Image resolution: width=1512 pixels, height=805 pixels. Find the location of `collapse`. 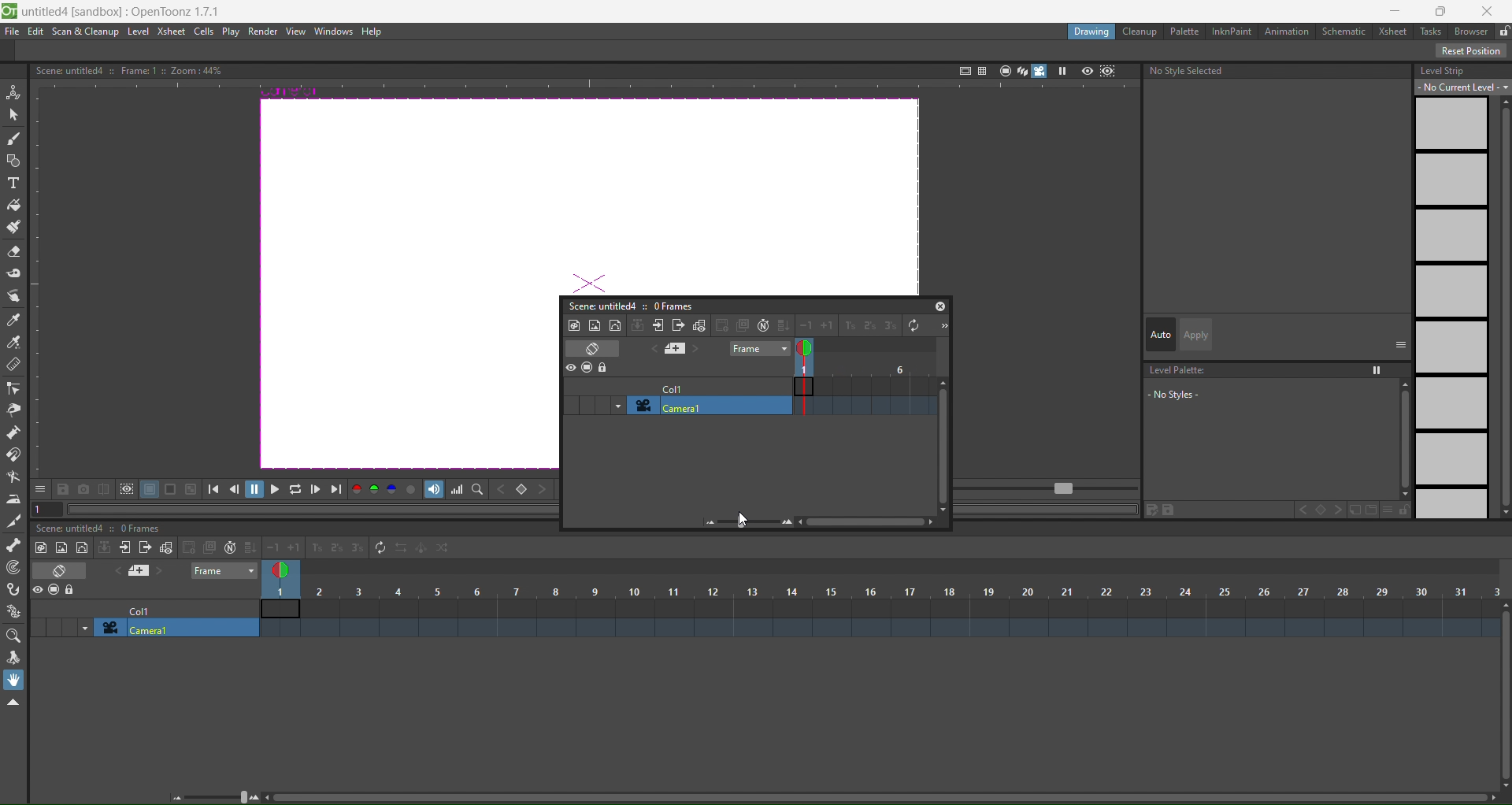

collapse is located at coordinates (105, 547).